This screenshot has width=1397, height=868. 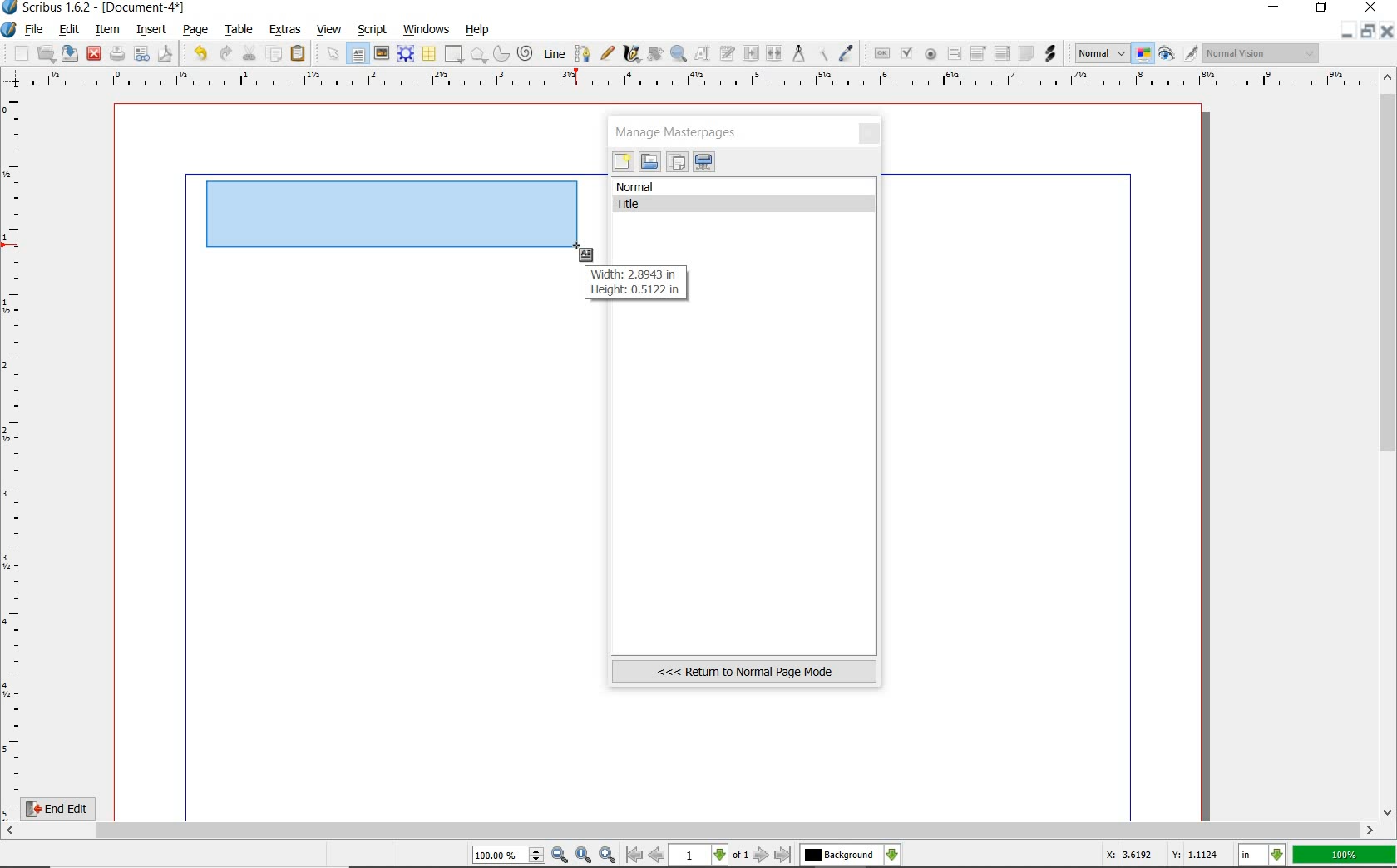 What do you see at coordinates (699, 81) in the screenshot?
I see `ruler` at bounding box center [699, 81].